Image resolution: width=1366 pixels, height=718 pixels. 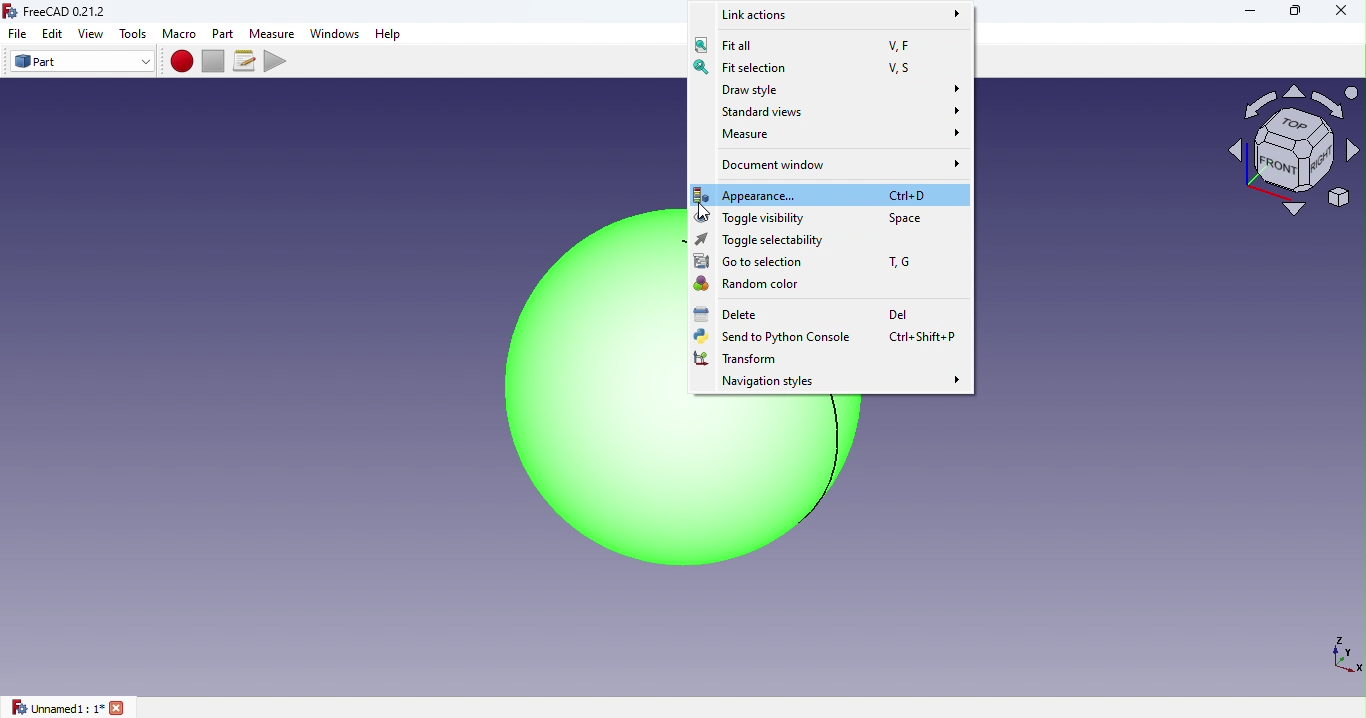 What do you see at coordinates (703, 214) in the screenshot?
I see `cursor` at bounding box center [703, 214].